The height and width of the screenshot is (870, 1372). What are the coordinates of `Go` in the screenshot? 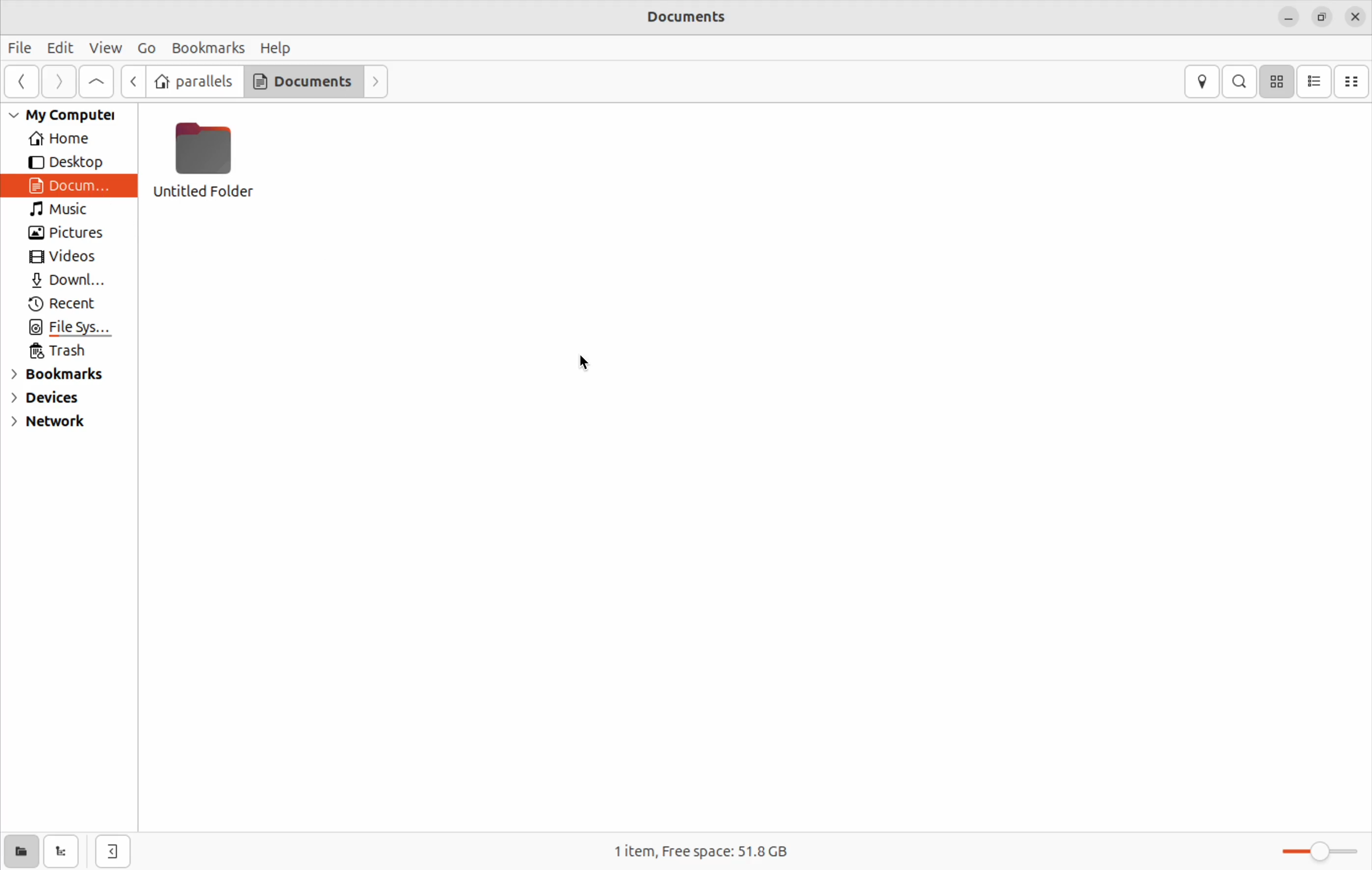 It's located at (145, 47).